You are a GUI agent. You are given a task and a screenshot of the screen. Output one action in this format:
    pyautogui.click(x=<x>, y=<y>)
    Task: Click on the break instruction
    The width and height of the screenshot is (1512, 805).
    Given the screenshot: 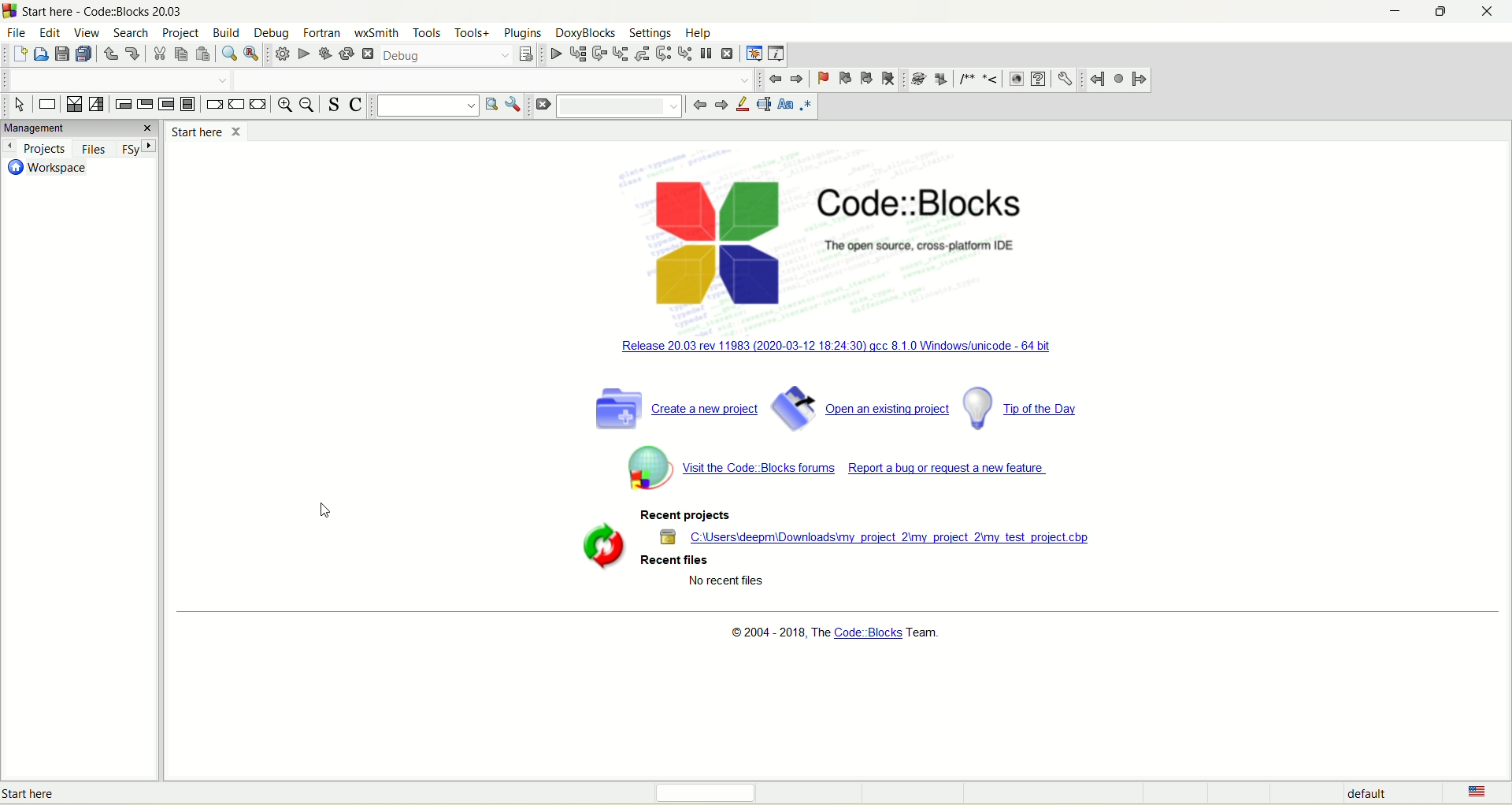 What is the action you would take?
    pyautogui.click(x=213, y=105)
    